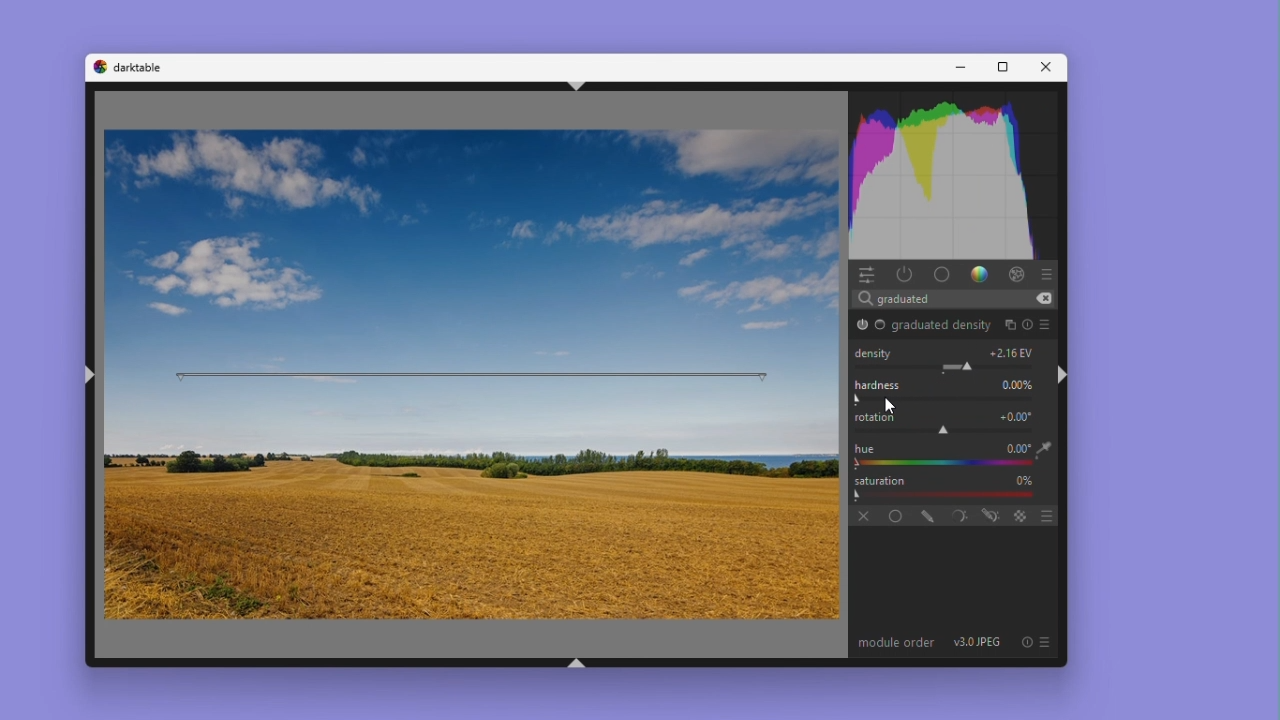 The width and height of the screenshot is (1280, 720). I want to click on Power, so click(905, 273).